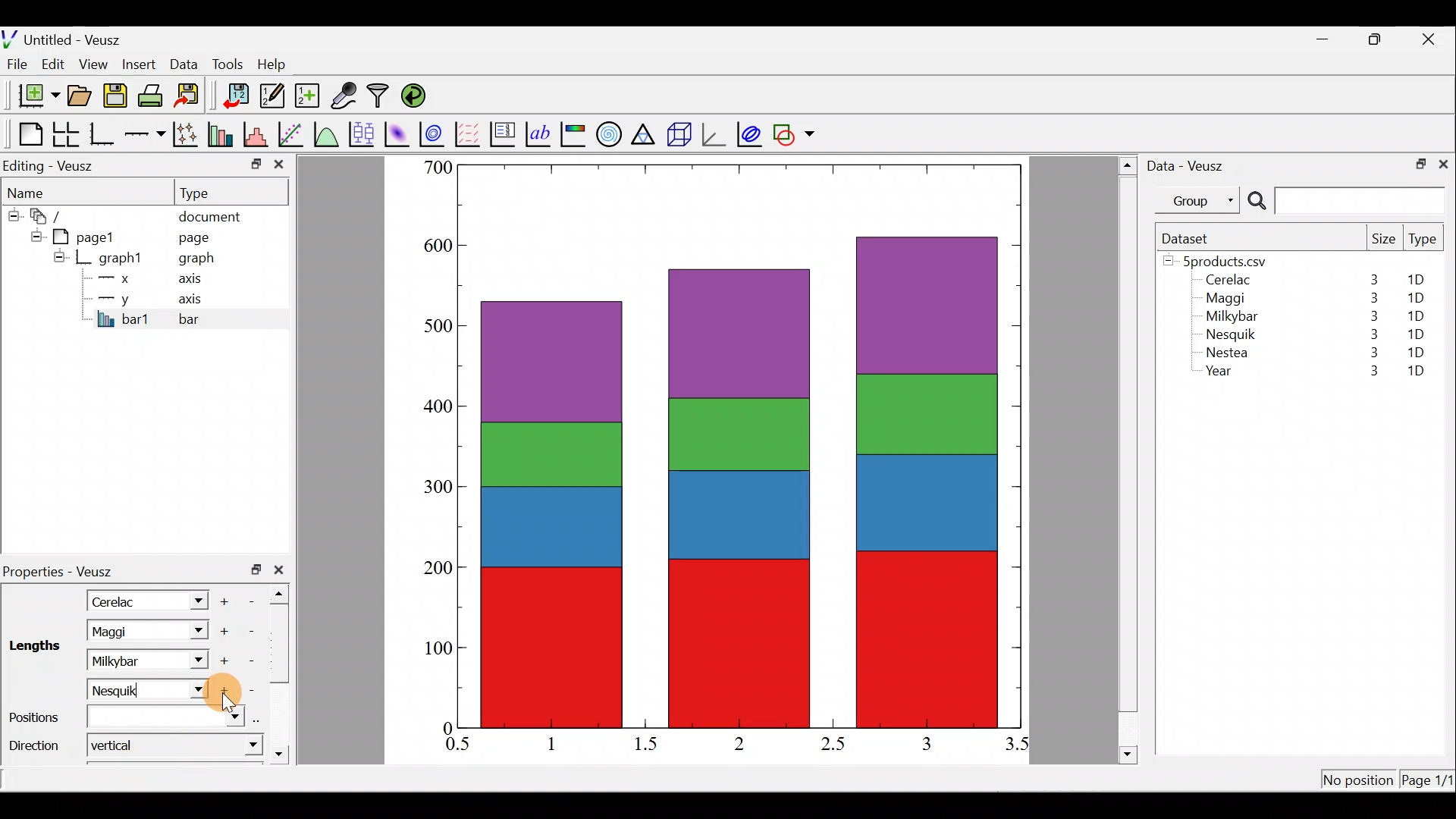 Image resolution: width=1456 pixels, height=819 pixels. I want to click on 3, so click(1371, 316).